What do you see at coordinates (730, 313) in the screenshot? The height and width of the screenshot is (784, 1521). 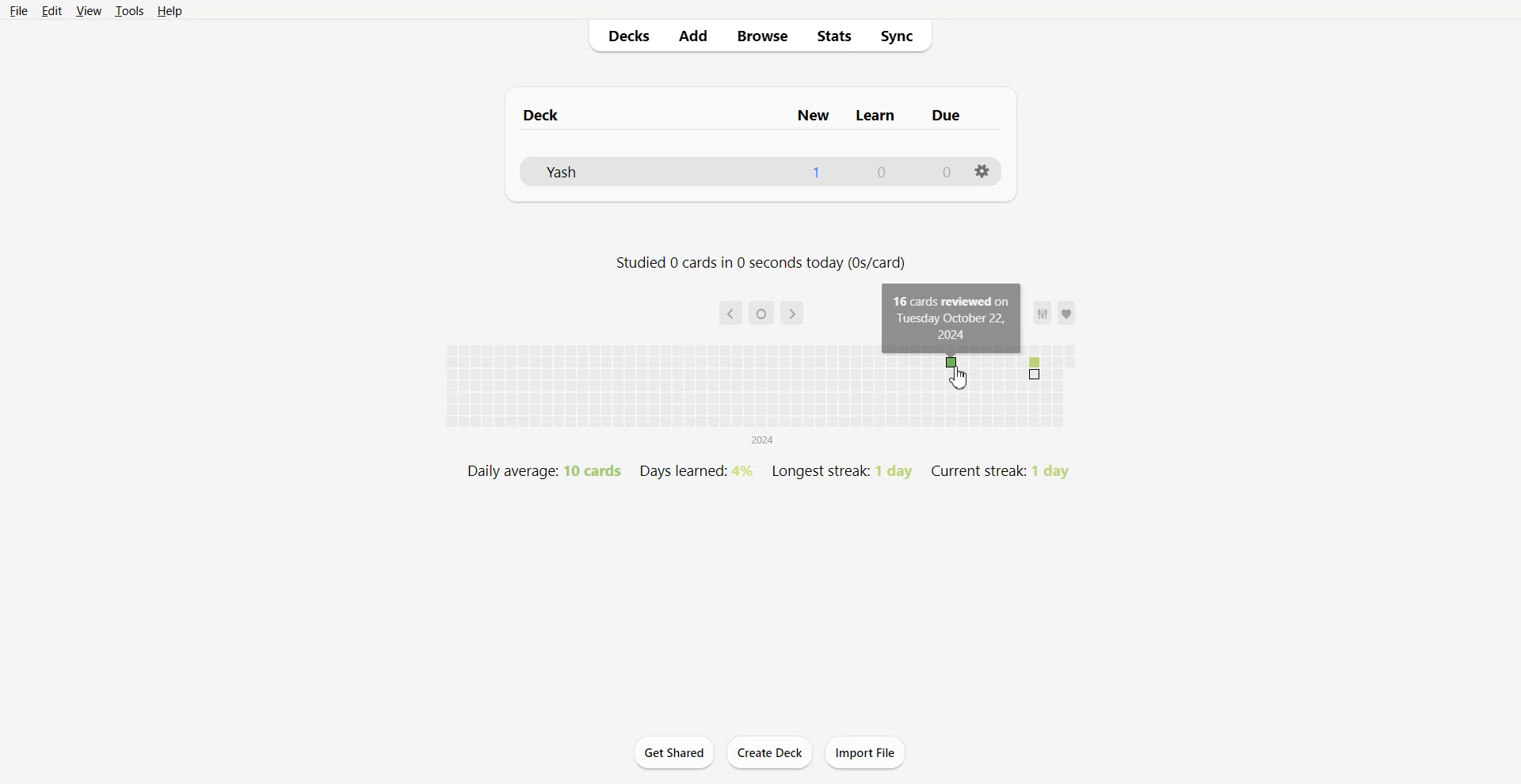 I see `back` at bounding box center [730, 313].